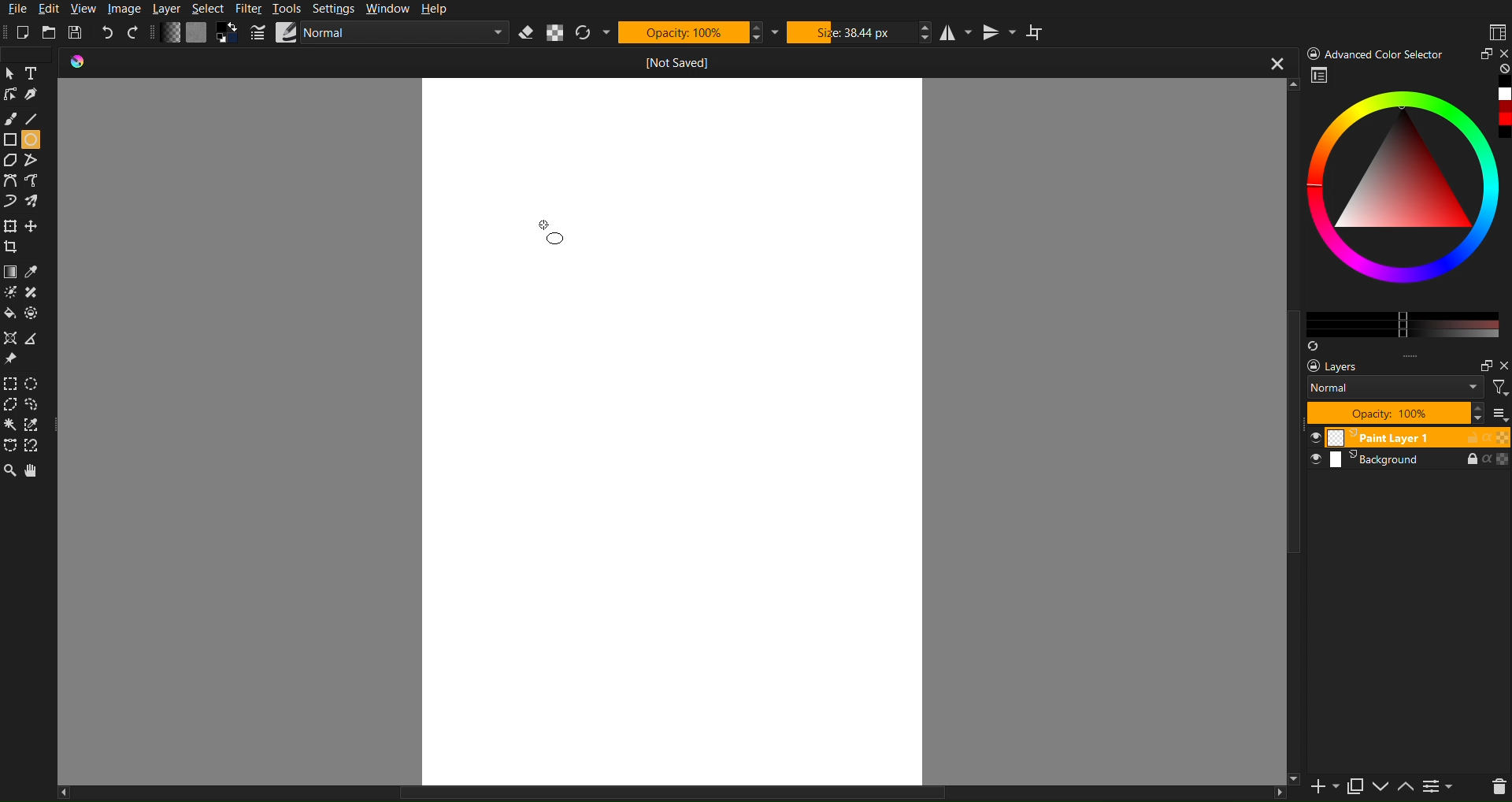 Image resolution: width=1512 pixels, height=802 pixels. What do you see at coordinates (1408, 210) in the screenshot?
I see `Advanced Color Selector` at bounding box center [1408, 210].